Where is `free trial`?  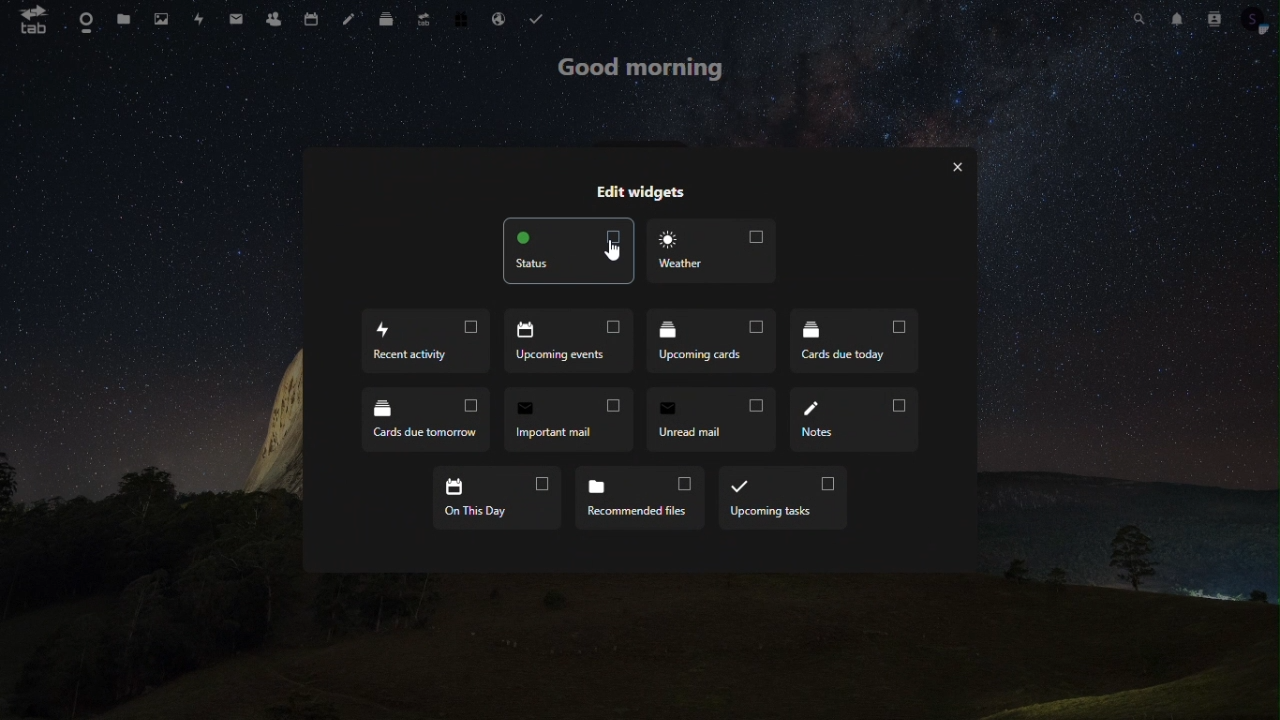 free trial is located at coordinates (462, 17).